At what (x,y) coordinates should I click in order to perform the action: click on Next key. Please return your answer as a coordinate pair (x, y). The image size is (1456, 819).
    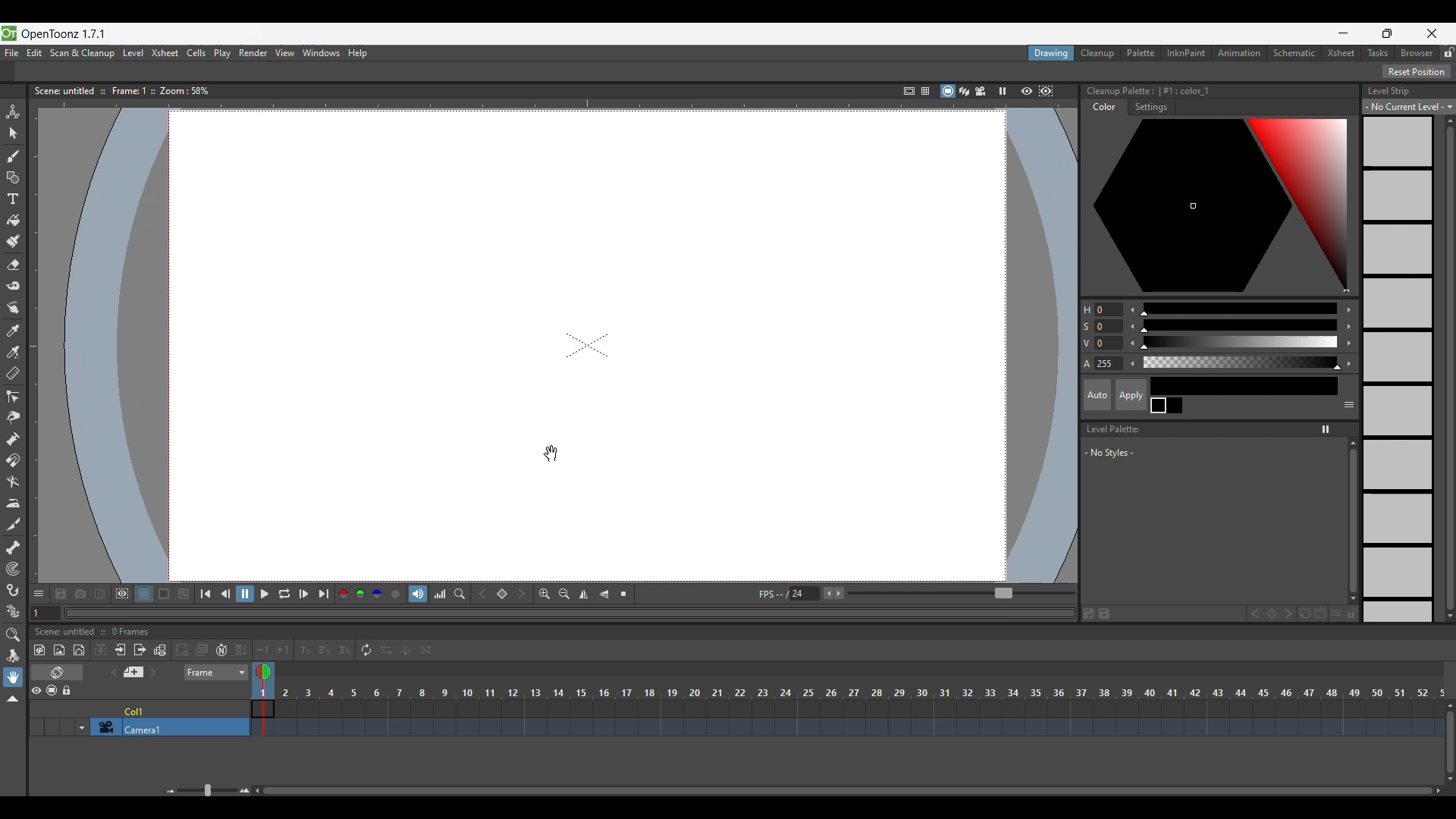
    Looking at the image, I should click on (1286, 613).